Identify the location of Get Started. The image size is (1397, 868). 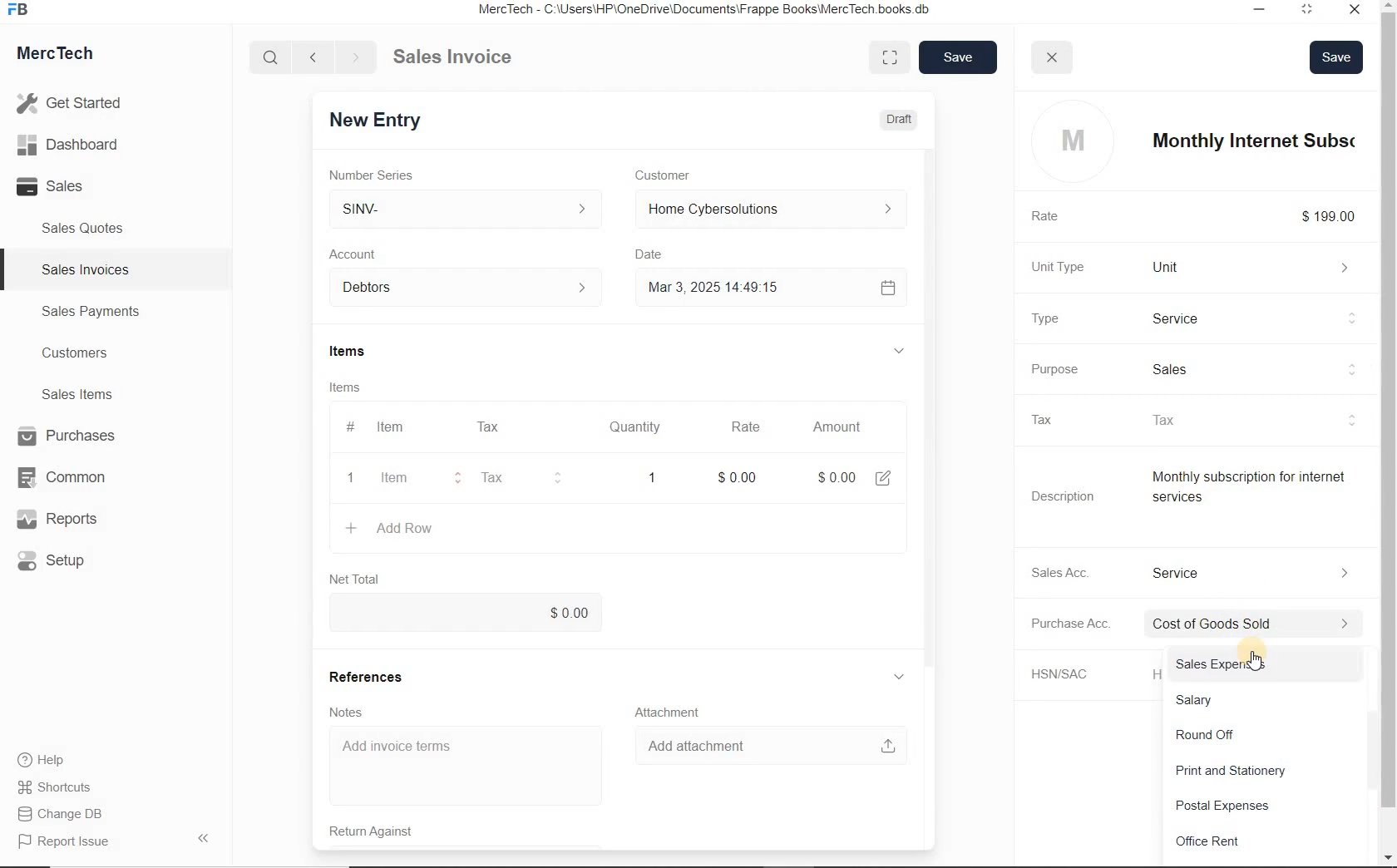
(75, 103).